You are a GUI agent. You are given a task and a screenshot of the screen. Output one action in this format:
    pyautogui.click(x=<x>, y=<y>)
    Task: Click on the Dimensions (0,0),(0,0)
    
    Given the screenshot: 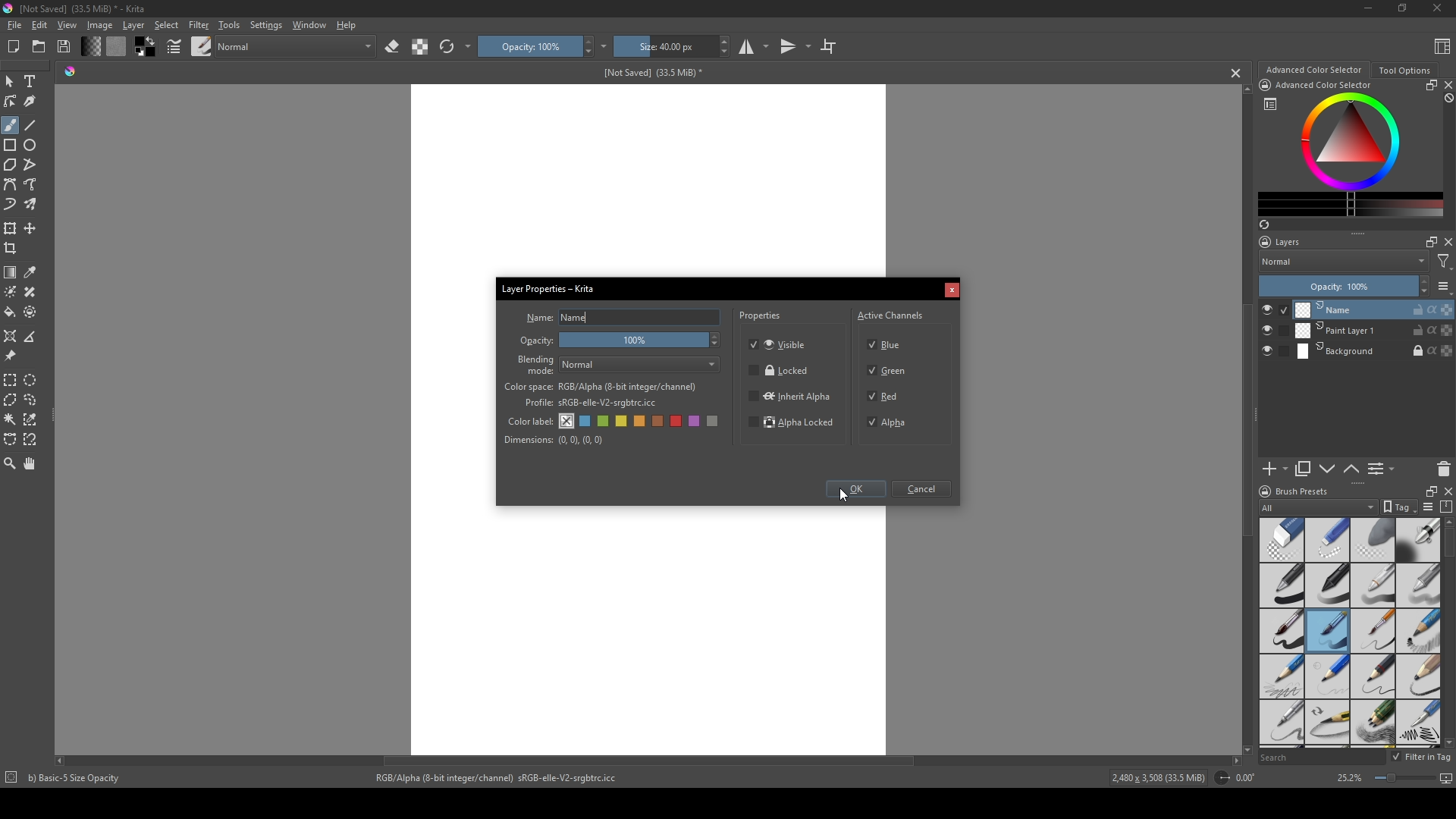 What is the action you would take?
    pyautogui.click(x=554, y=440)
    